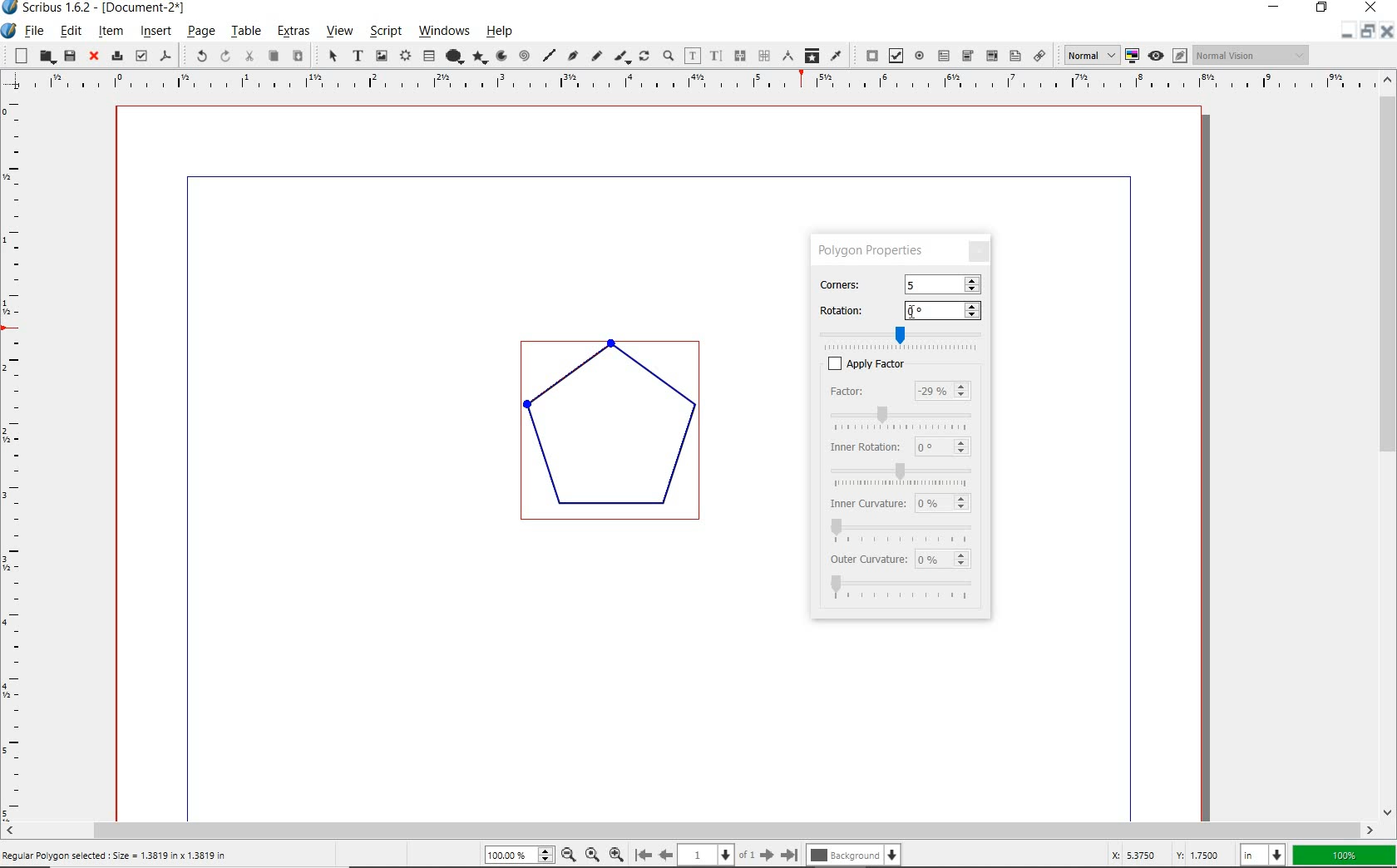 This screenshot has width=1397, height=868. Describe the element at coordinates (445, 32) in the screenshot. I see `windows` at that location.